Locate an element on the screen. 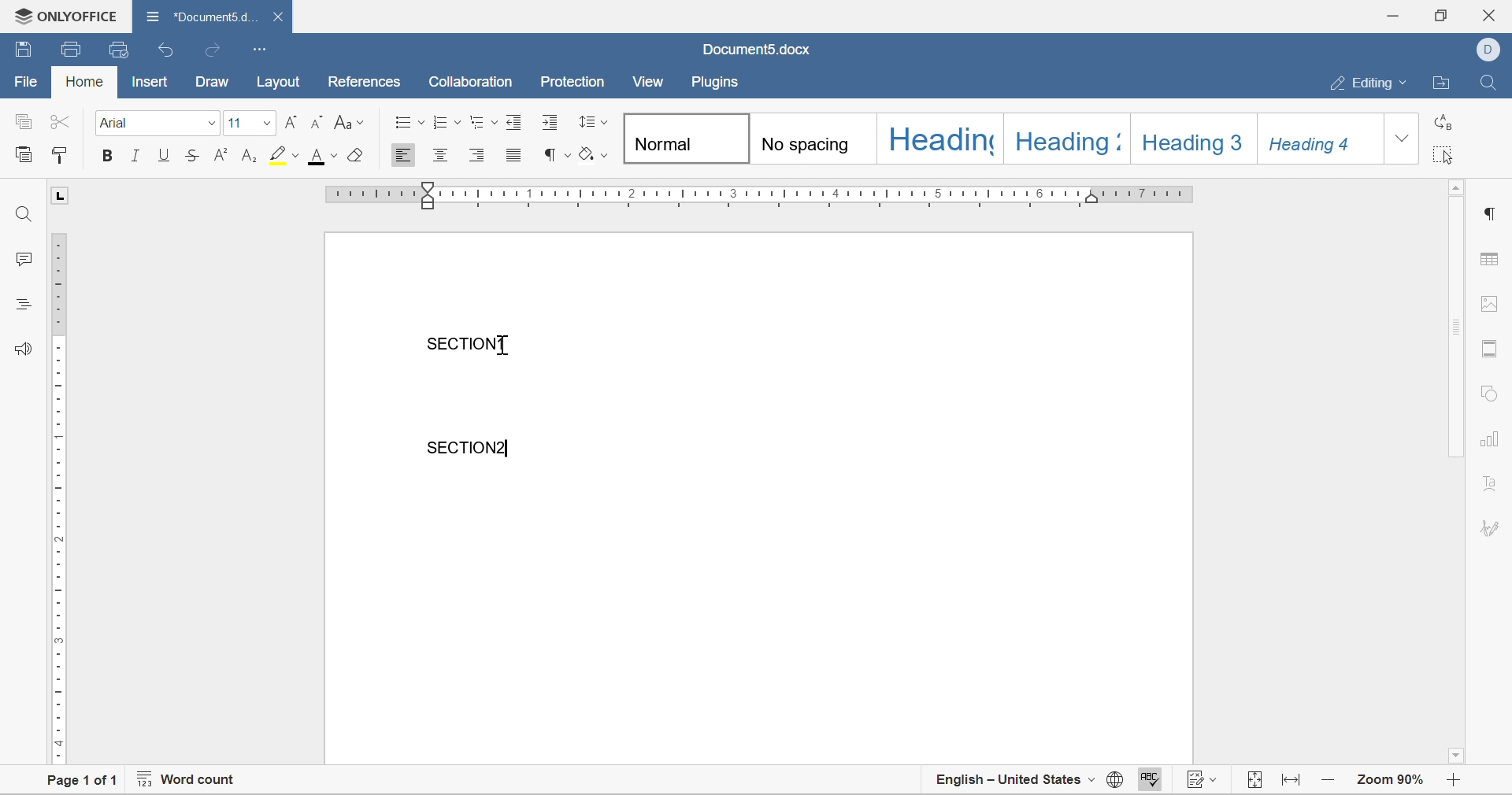 The width and height of the screenshot is (1512, 795). copy is located at coordinates (22, 120).